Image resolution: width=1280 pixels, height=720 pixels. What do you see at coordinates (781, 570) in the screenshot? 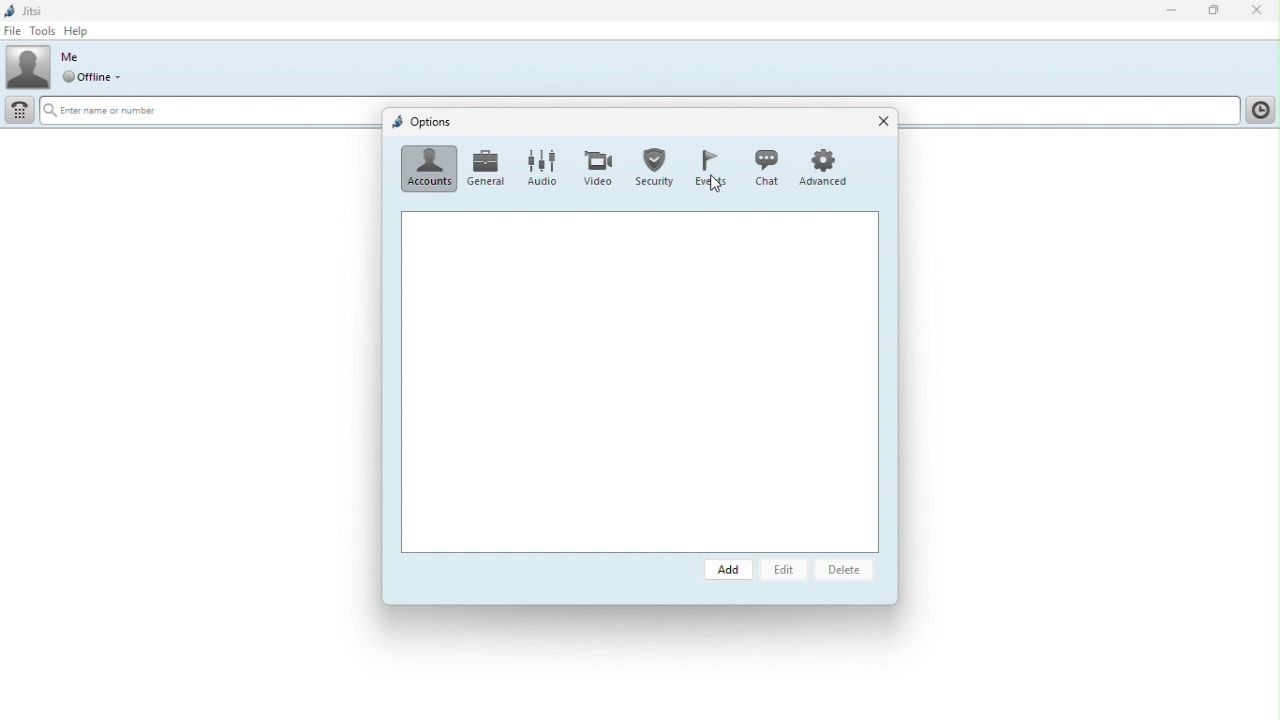
I see `Edit` at bounding box center [781, 570].